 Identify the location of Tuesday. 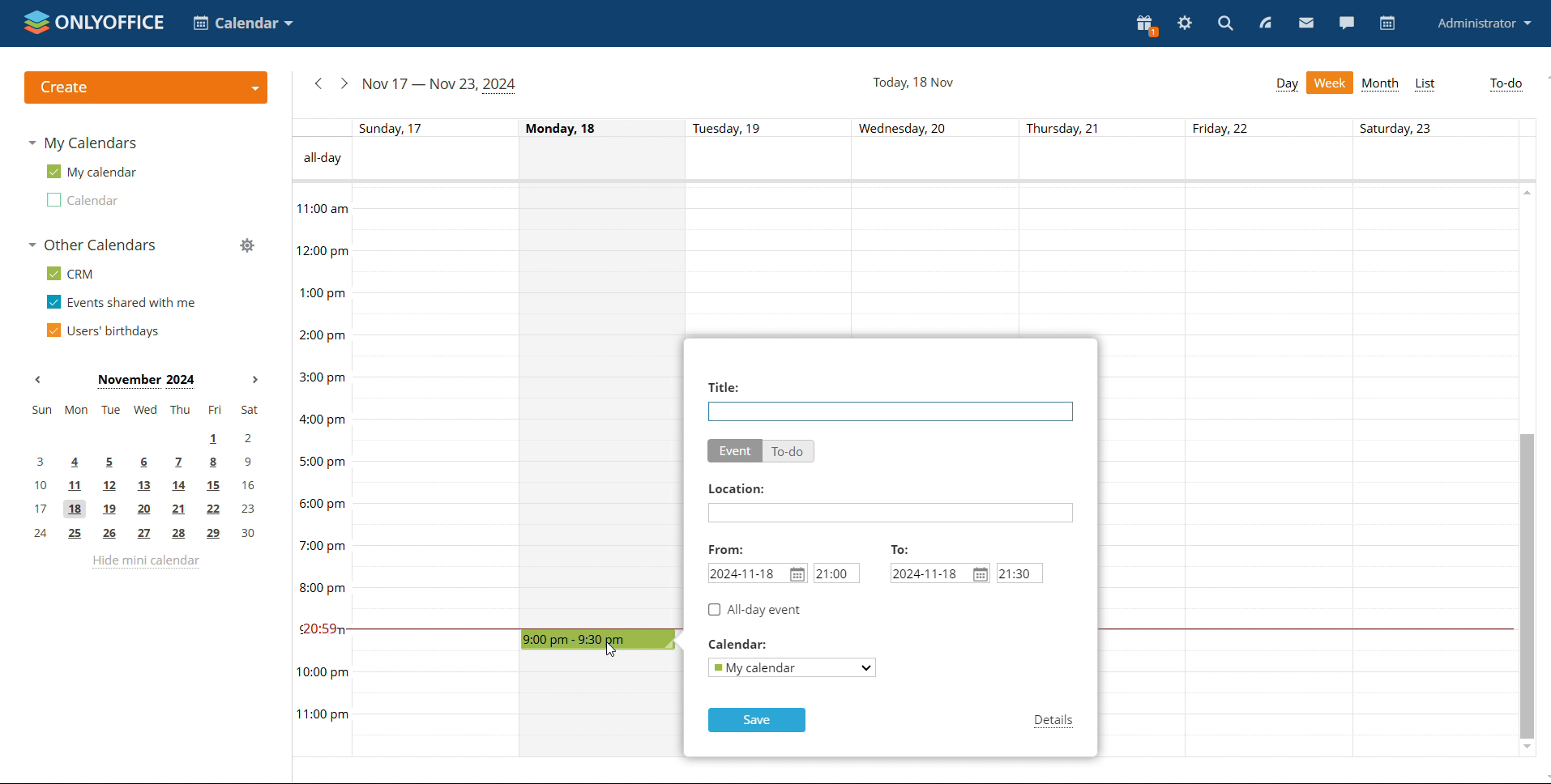
(766, 261).